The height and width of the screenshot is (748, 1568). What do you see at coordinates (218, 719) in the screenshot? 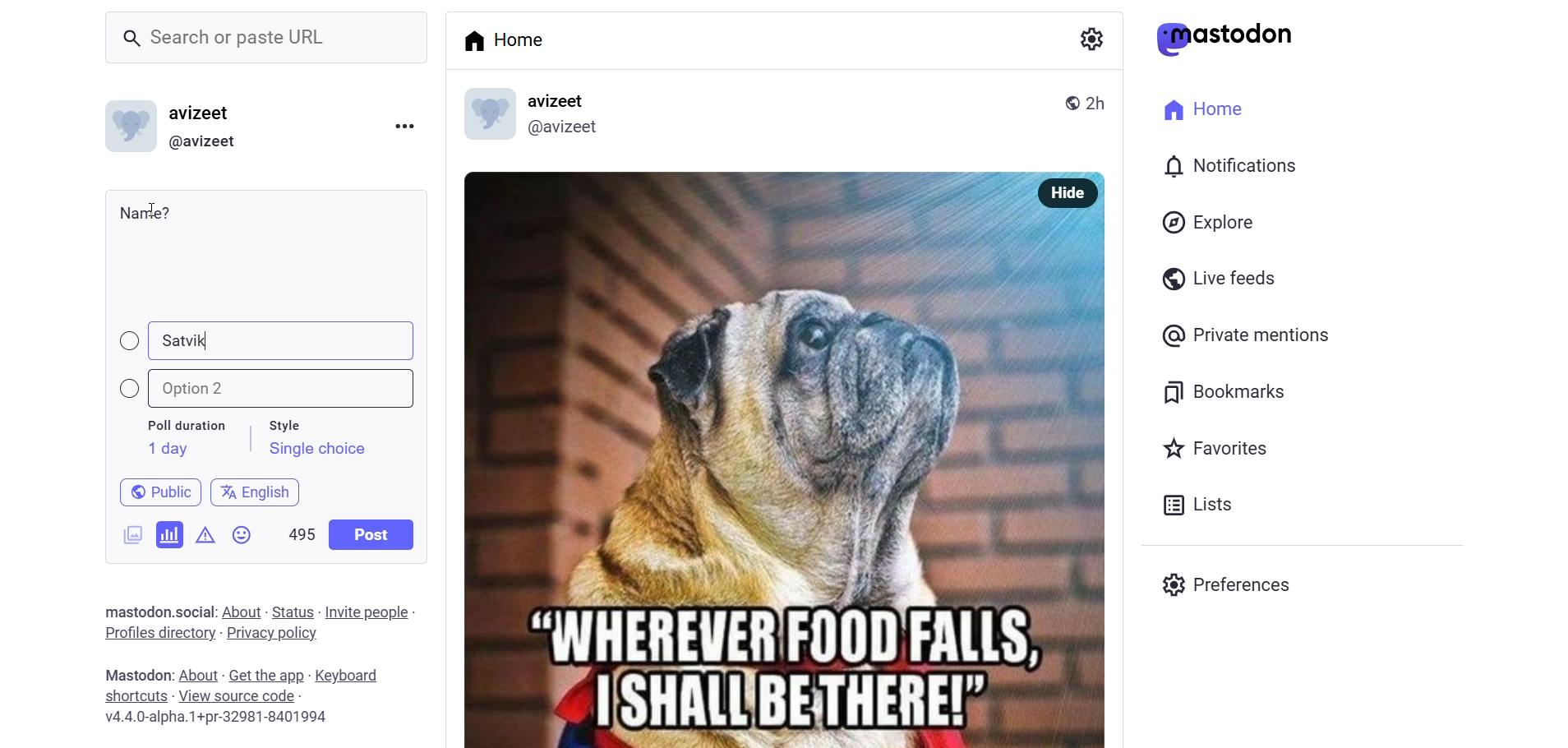
I see `version` at bounding box center [218, 719].